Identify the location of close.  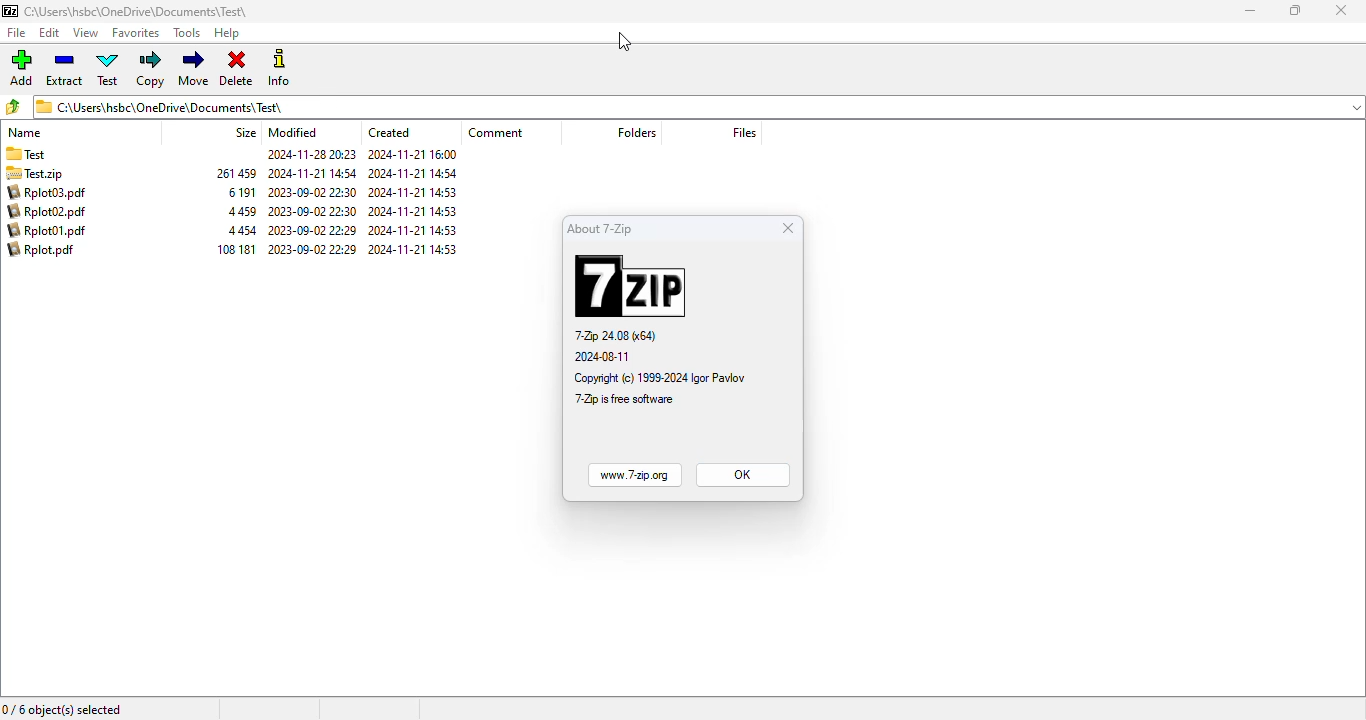
(789, 228).